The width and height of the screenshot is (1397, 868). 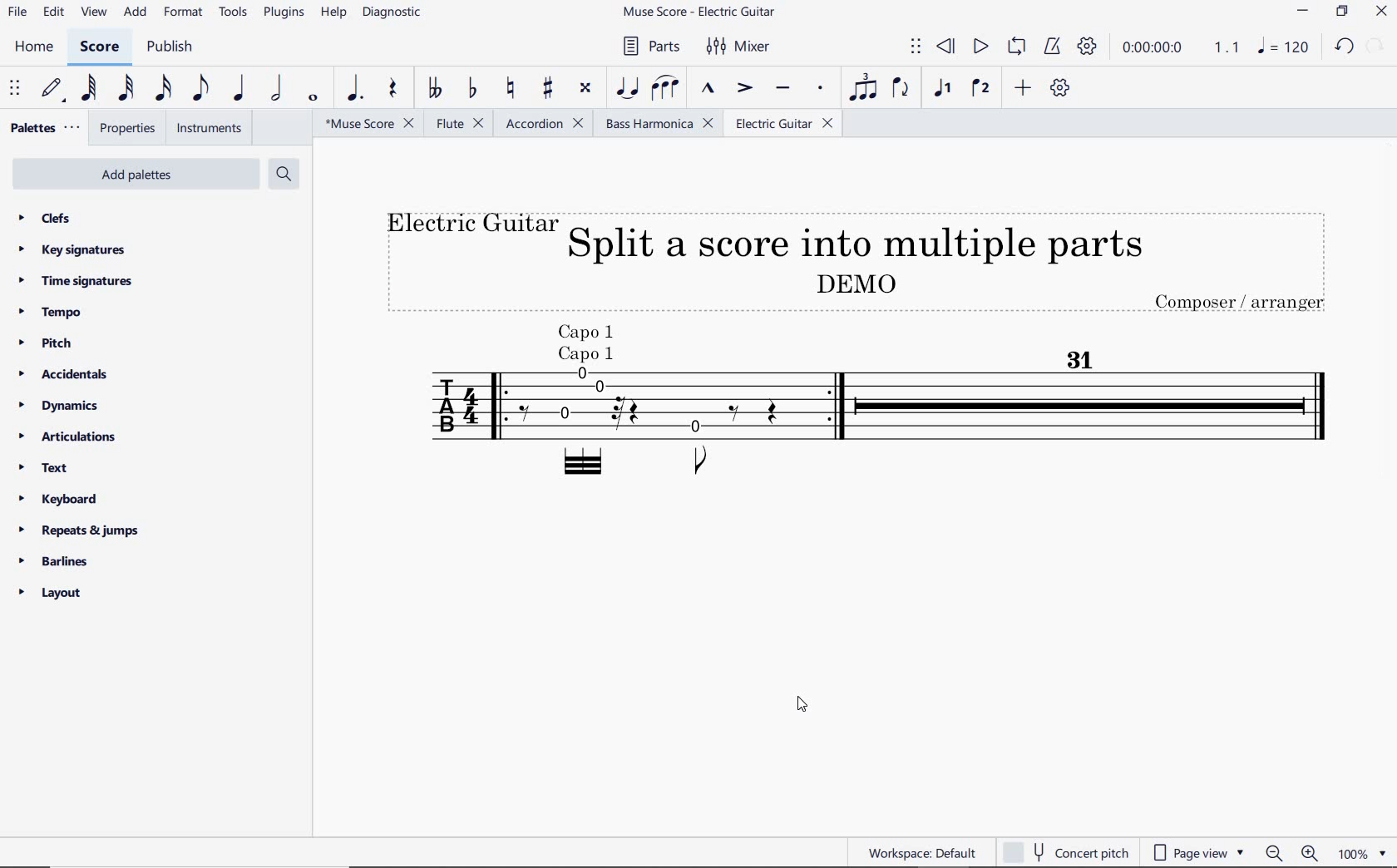 I want to click on play, so click(x=980, y=47).